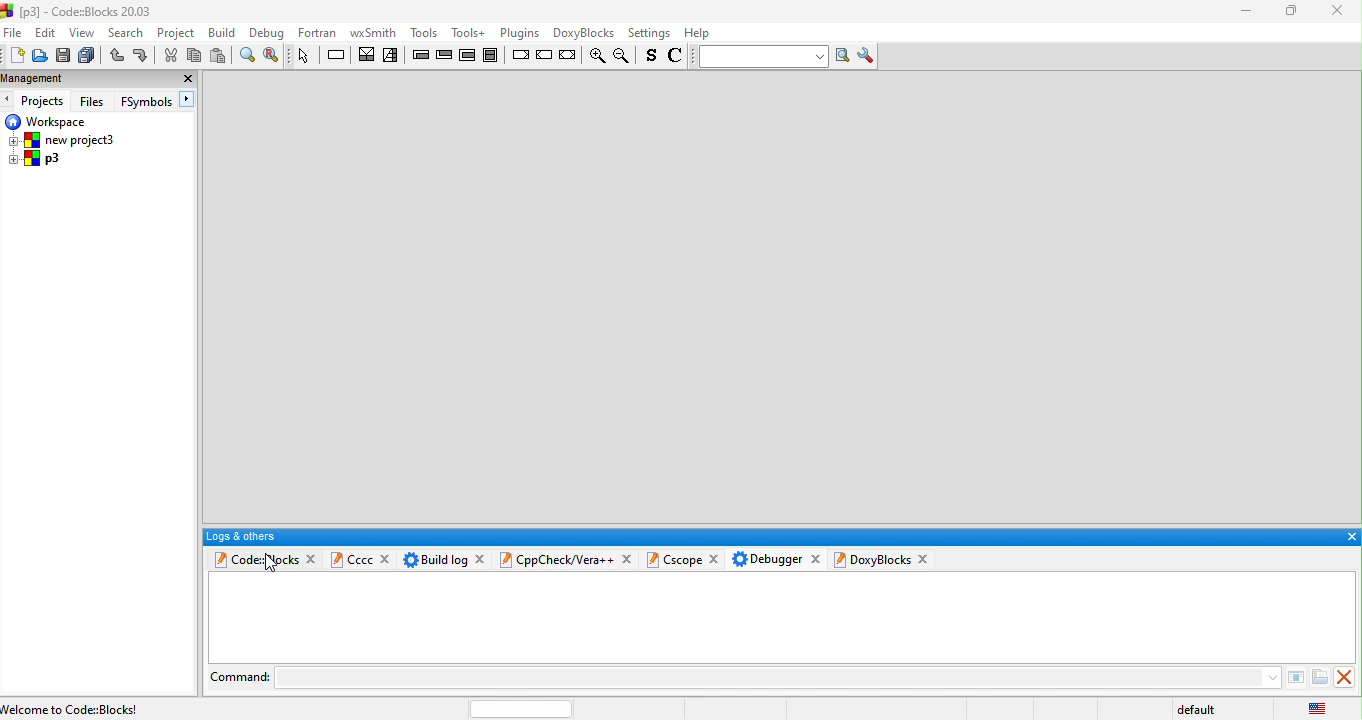  What do you see at coordinates (392, 56) in the screenshot?
I see `selection` at bounding box center [392, 56].